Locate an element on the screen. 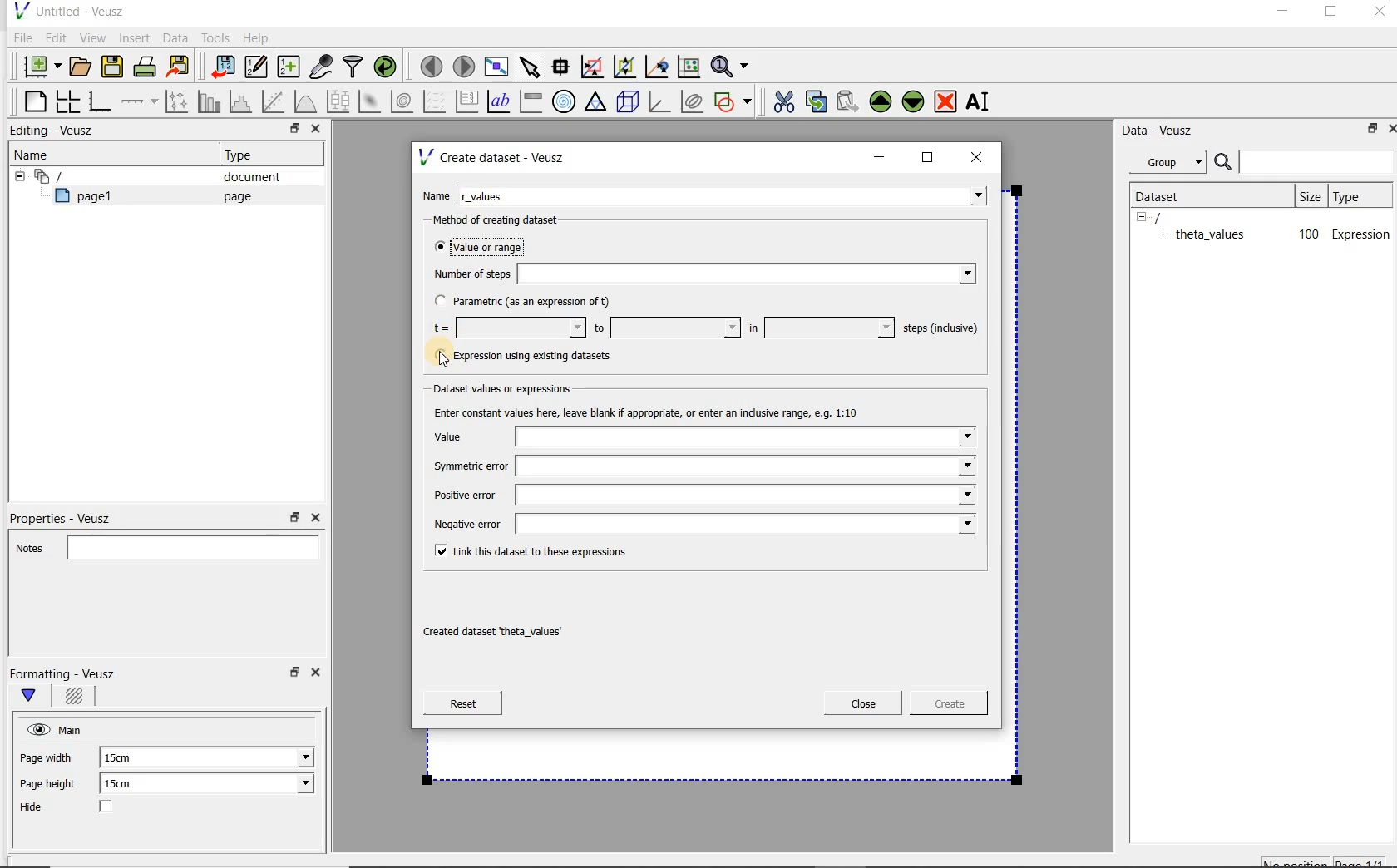 This screenshot has width=1397, height=868. click to reset graph axes is located at coordinates (689, 66).